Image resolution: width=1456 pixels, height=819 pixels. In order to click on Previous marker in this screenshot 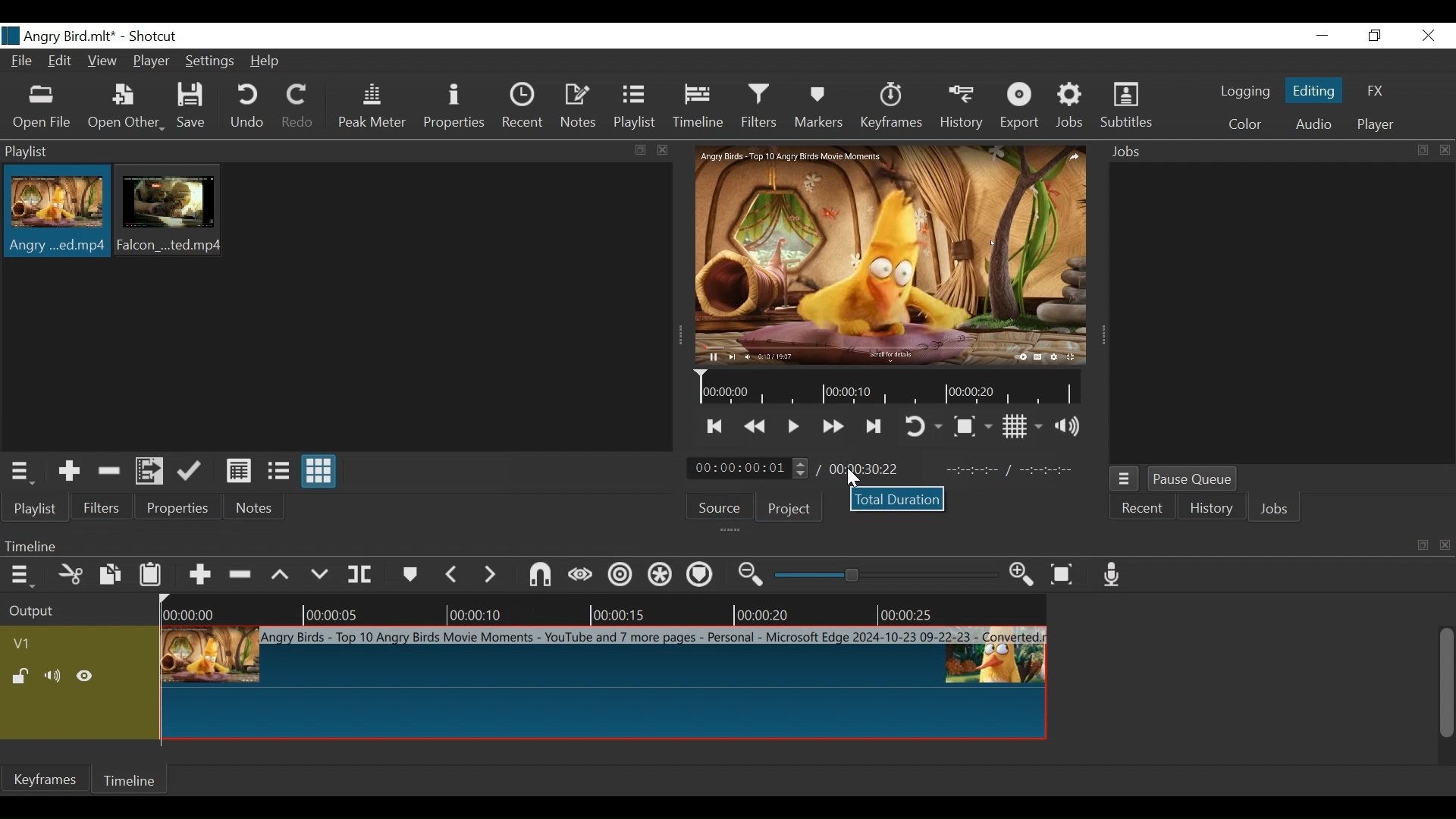, I will do `click(452, 576)`.